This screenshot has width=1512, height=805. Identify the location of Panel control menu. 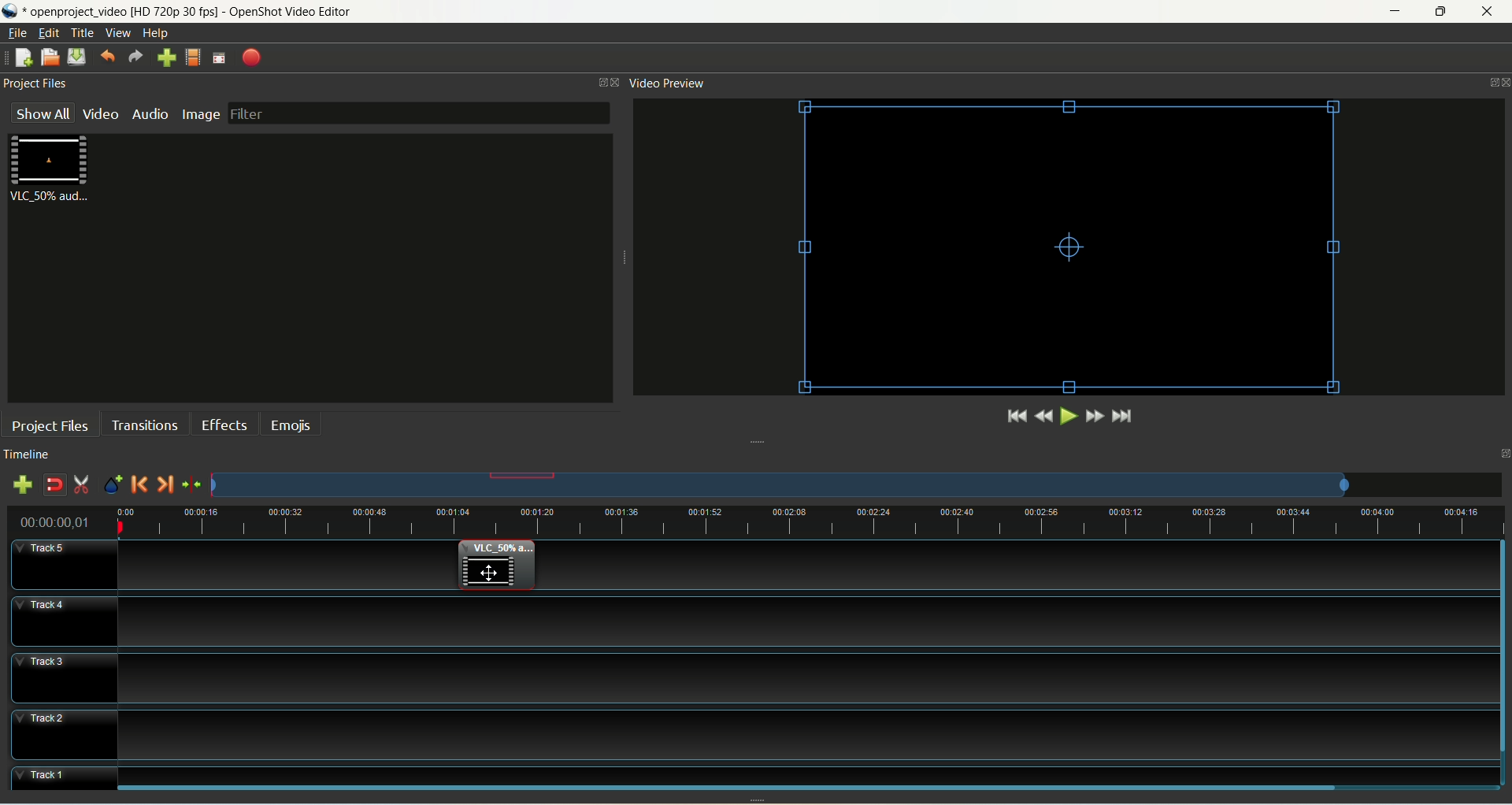
(1494, 83).